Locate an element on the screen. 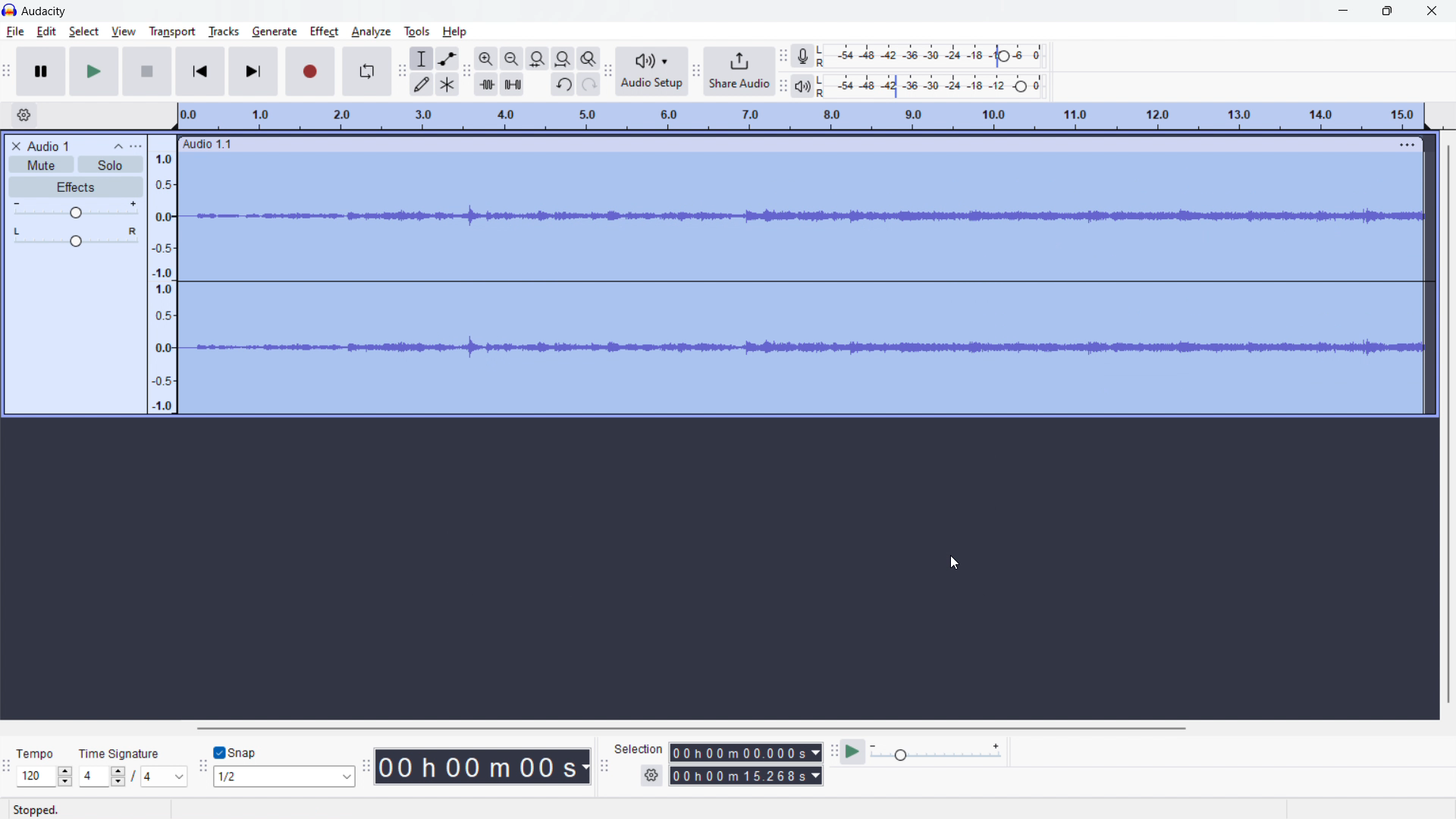 The height and width of the screenshot is (819, 1456). volume is located at coordinates (74, 210).